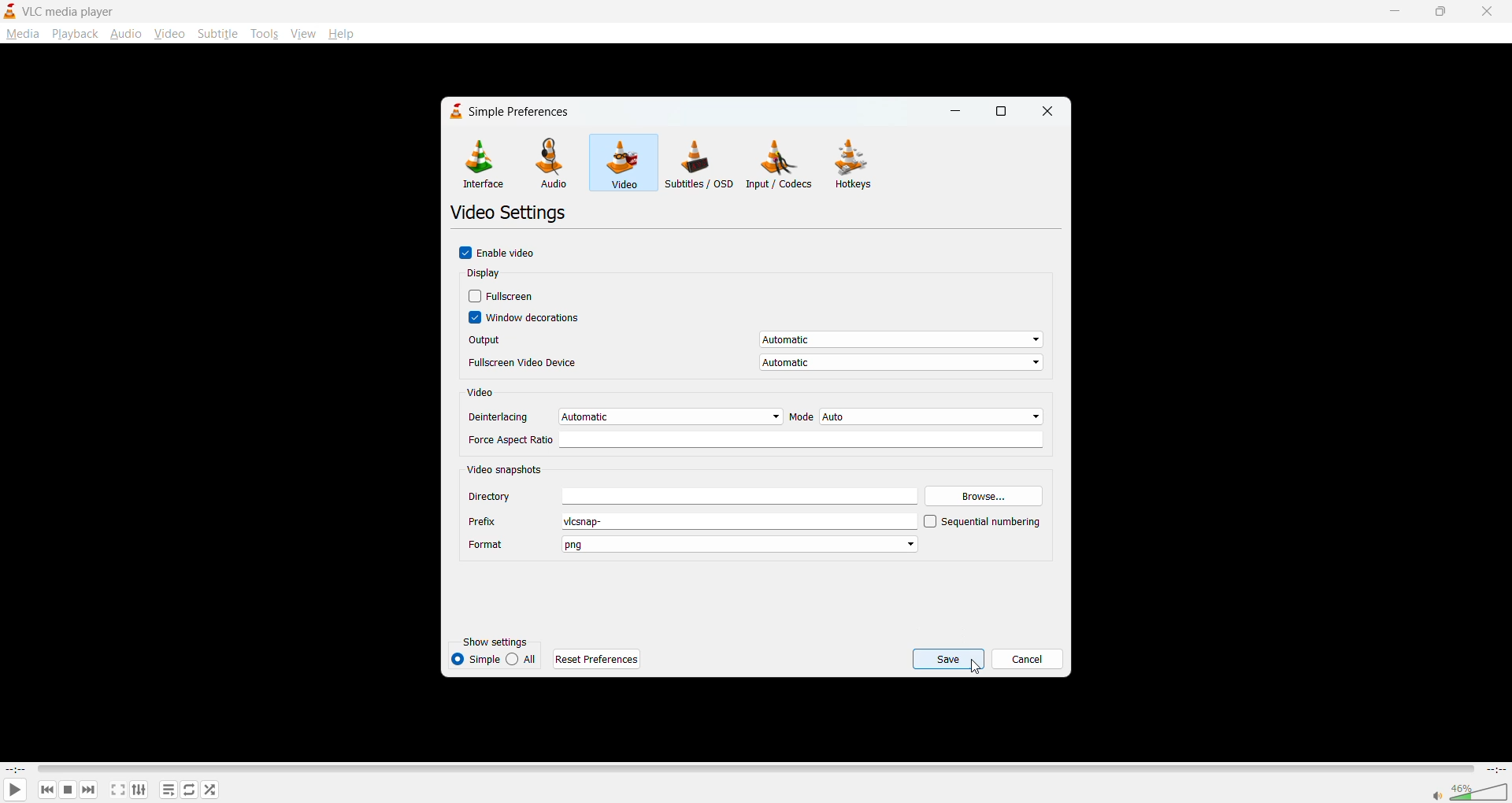 Image resolution: width=1512 pixels, height=803 pixels. Describe the element at coordinates (502, 642) in the screenshot. I see `show settings` at that location.